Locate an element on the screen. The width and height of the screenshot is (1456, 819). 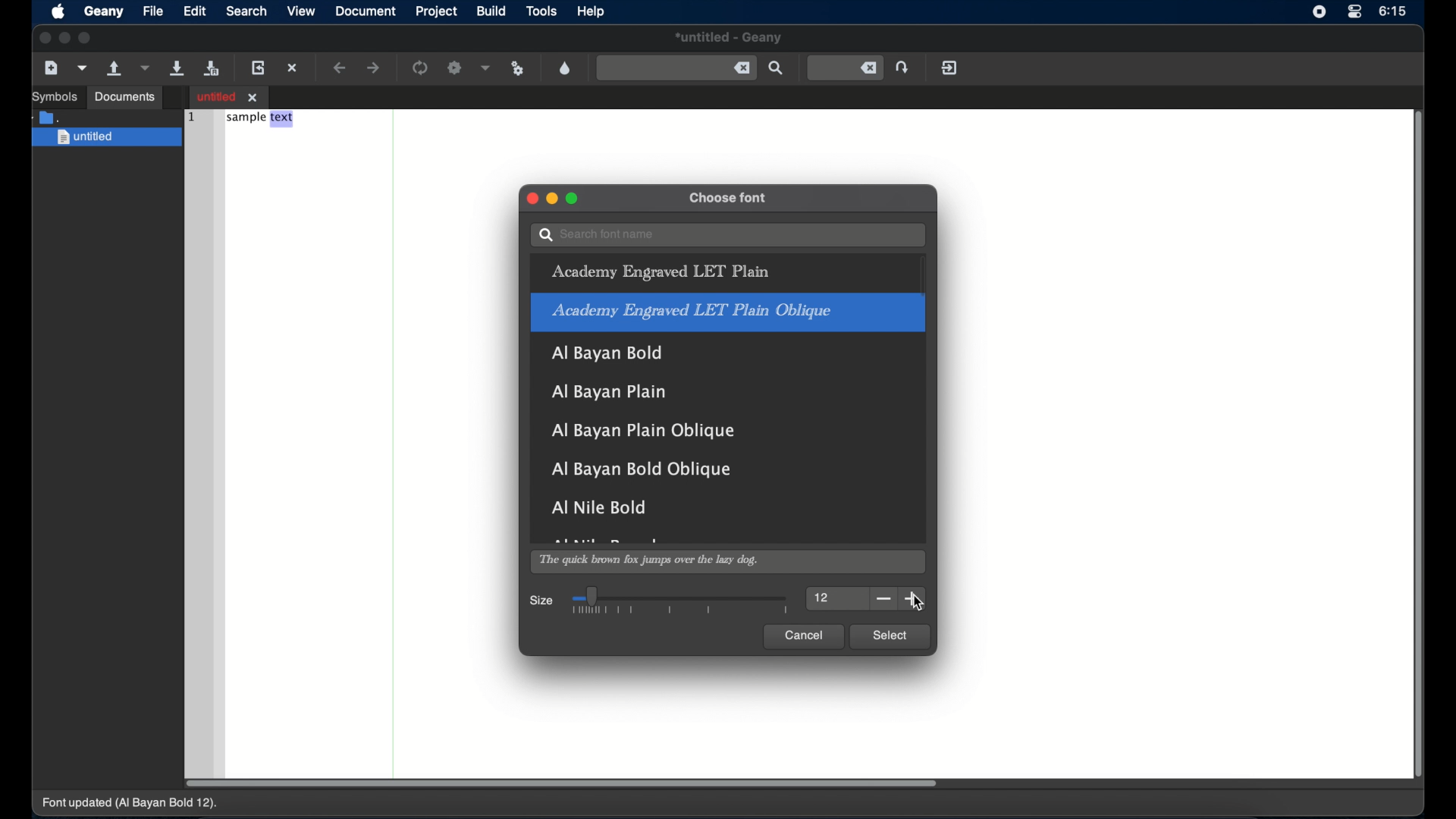
slider is located at coordinates (680, 601).